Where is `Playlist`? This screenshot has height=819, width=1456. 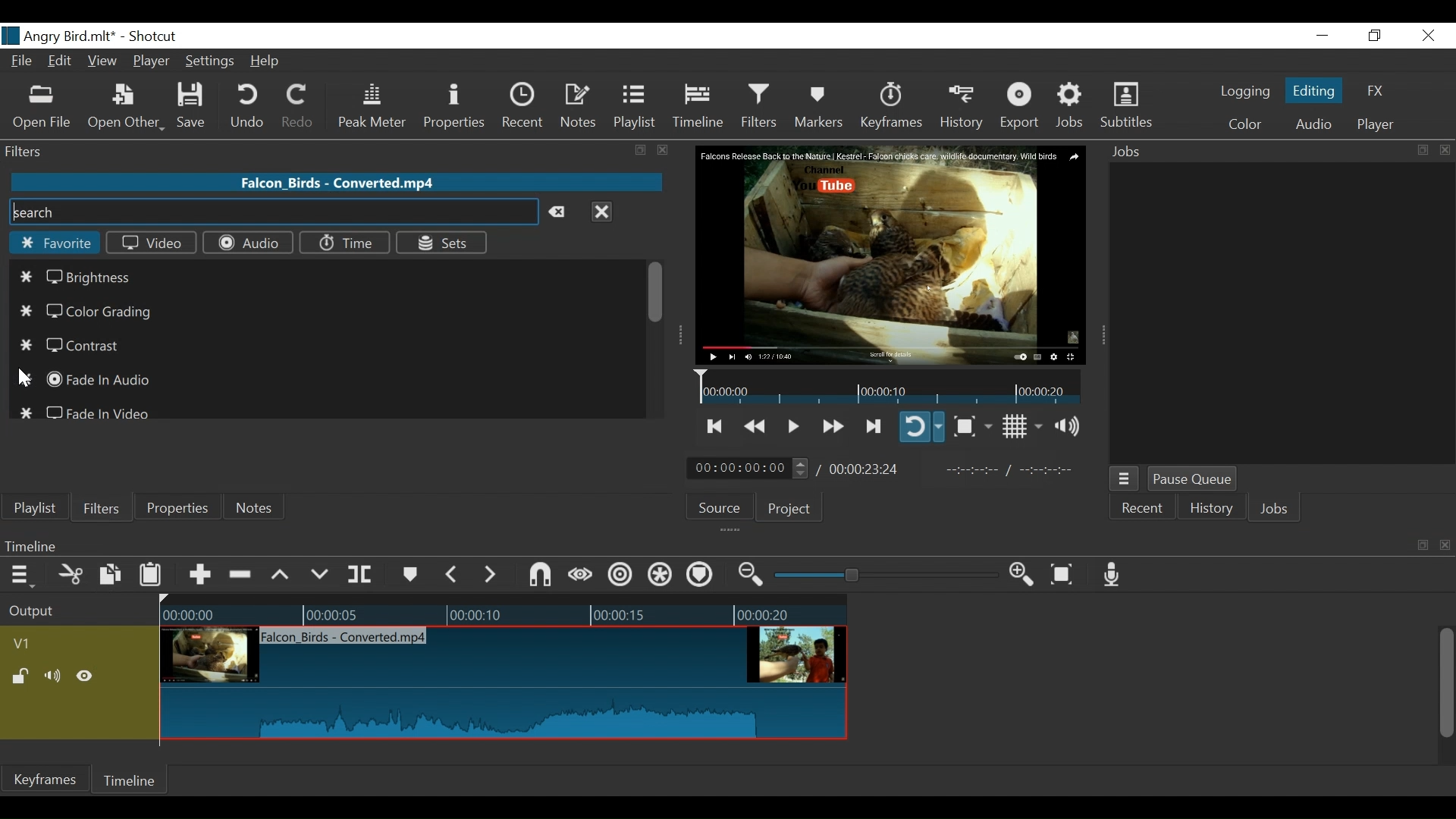
Playlist is located at coordinates (635, 106).